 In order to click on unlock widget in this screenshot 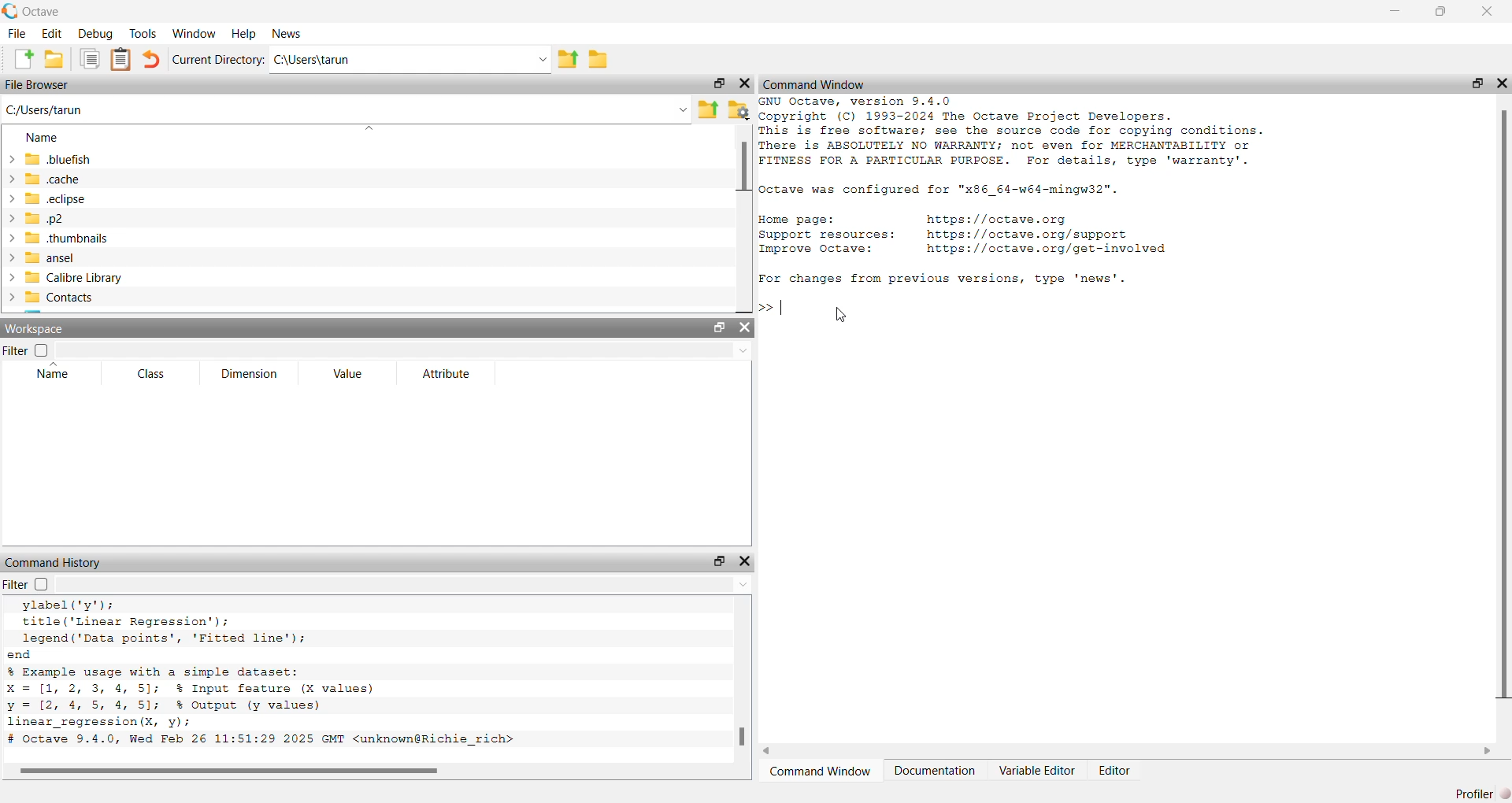, I will do `click(1477, 81)`.